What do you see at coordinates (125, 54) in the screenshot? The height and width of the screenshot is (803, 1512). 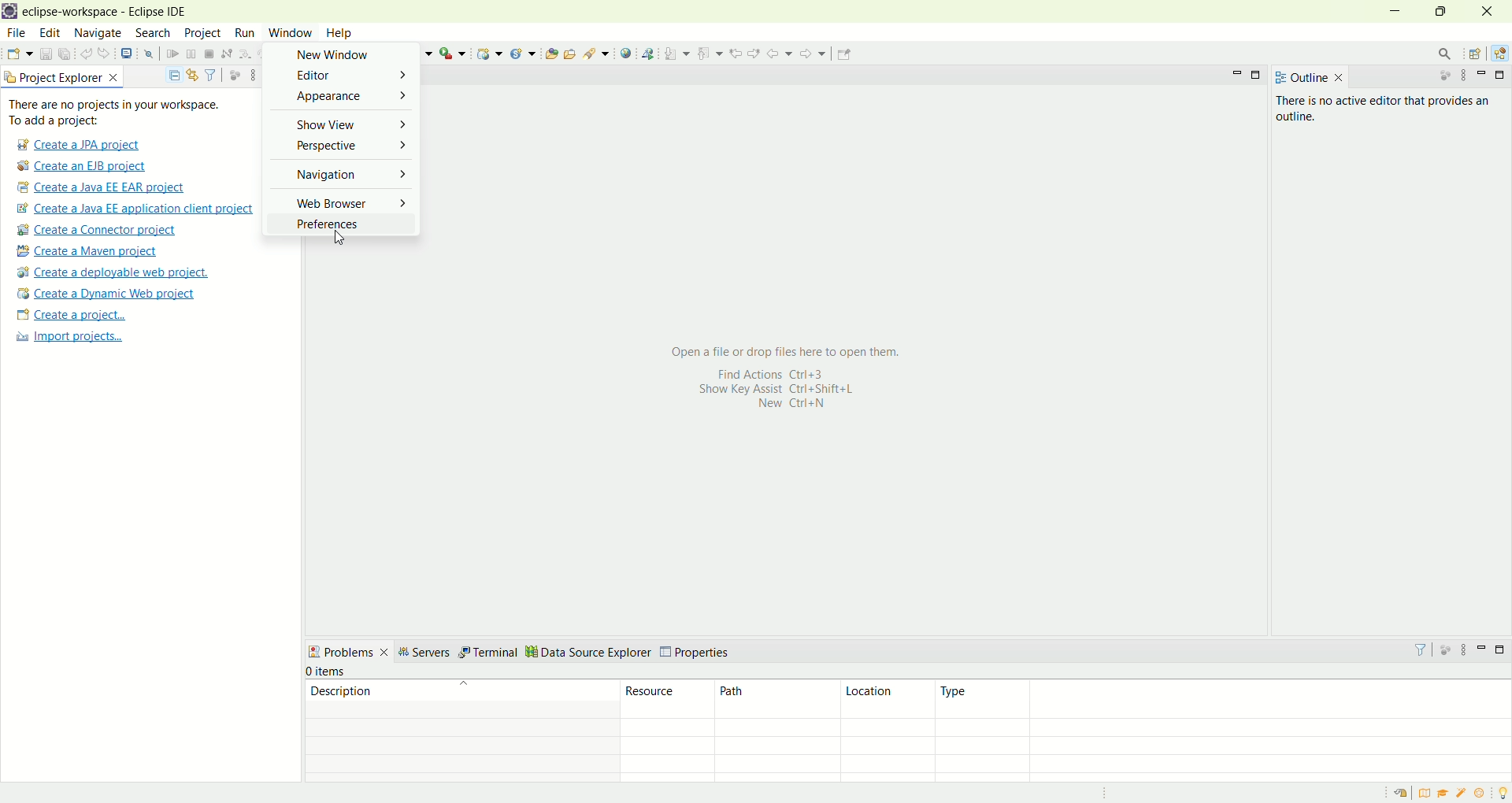 I see `open a terminal` at bounding box center [125, 54].